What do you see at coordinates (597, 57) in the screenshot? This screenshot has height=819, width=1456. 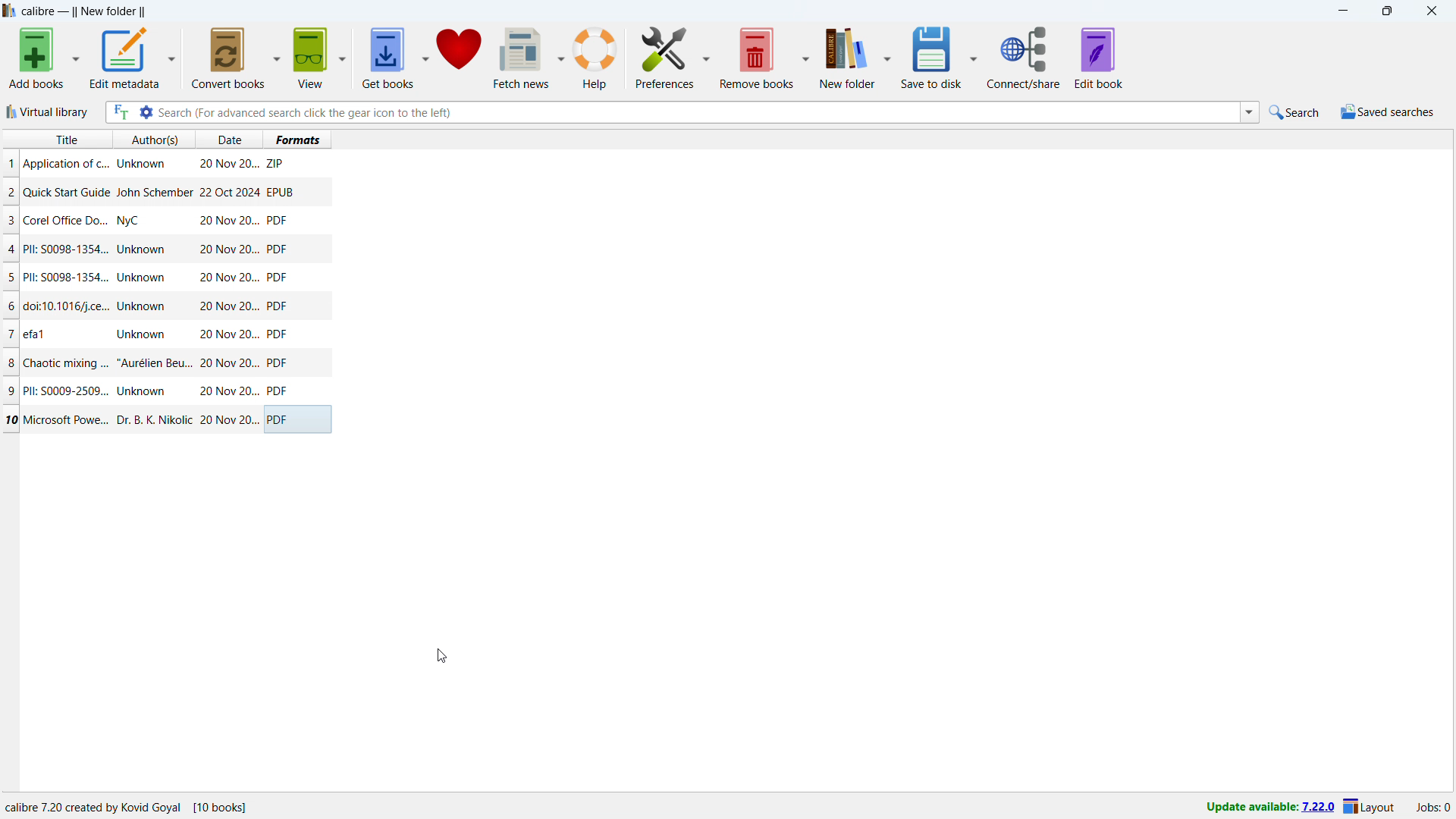 I see `help` at bounding box center [597, 57].